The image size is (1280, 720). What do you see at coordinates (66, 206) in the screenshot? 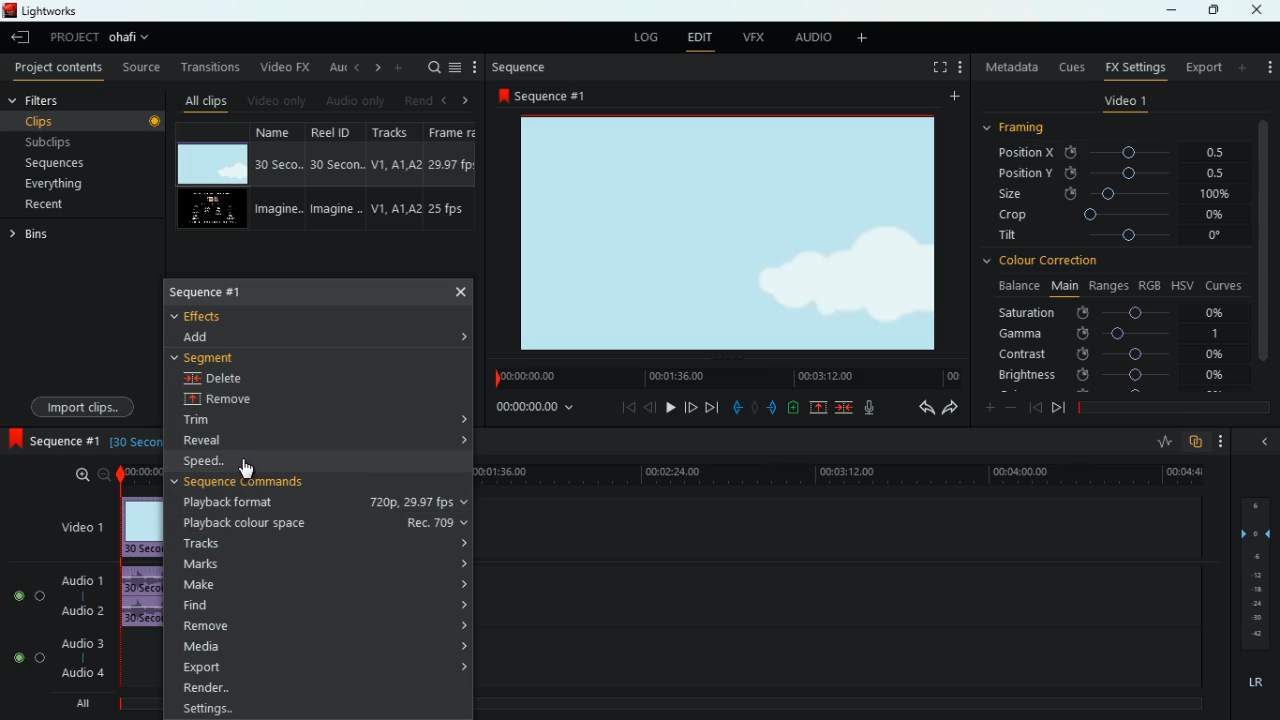
I see `recent` at bounding box center [66, 206].